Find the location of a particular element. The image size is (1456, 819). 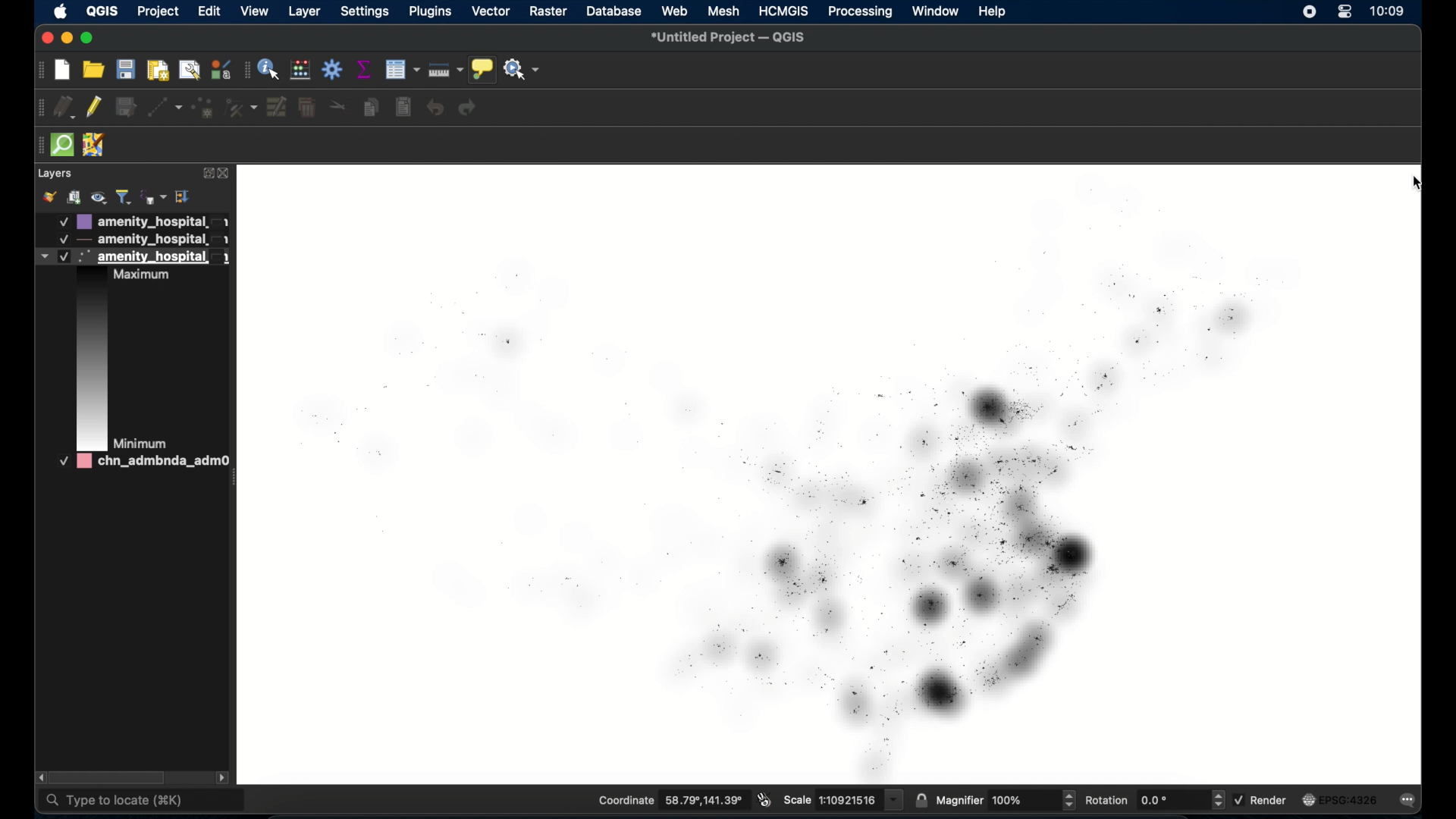

heat map is located at coordinates (829, 474).